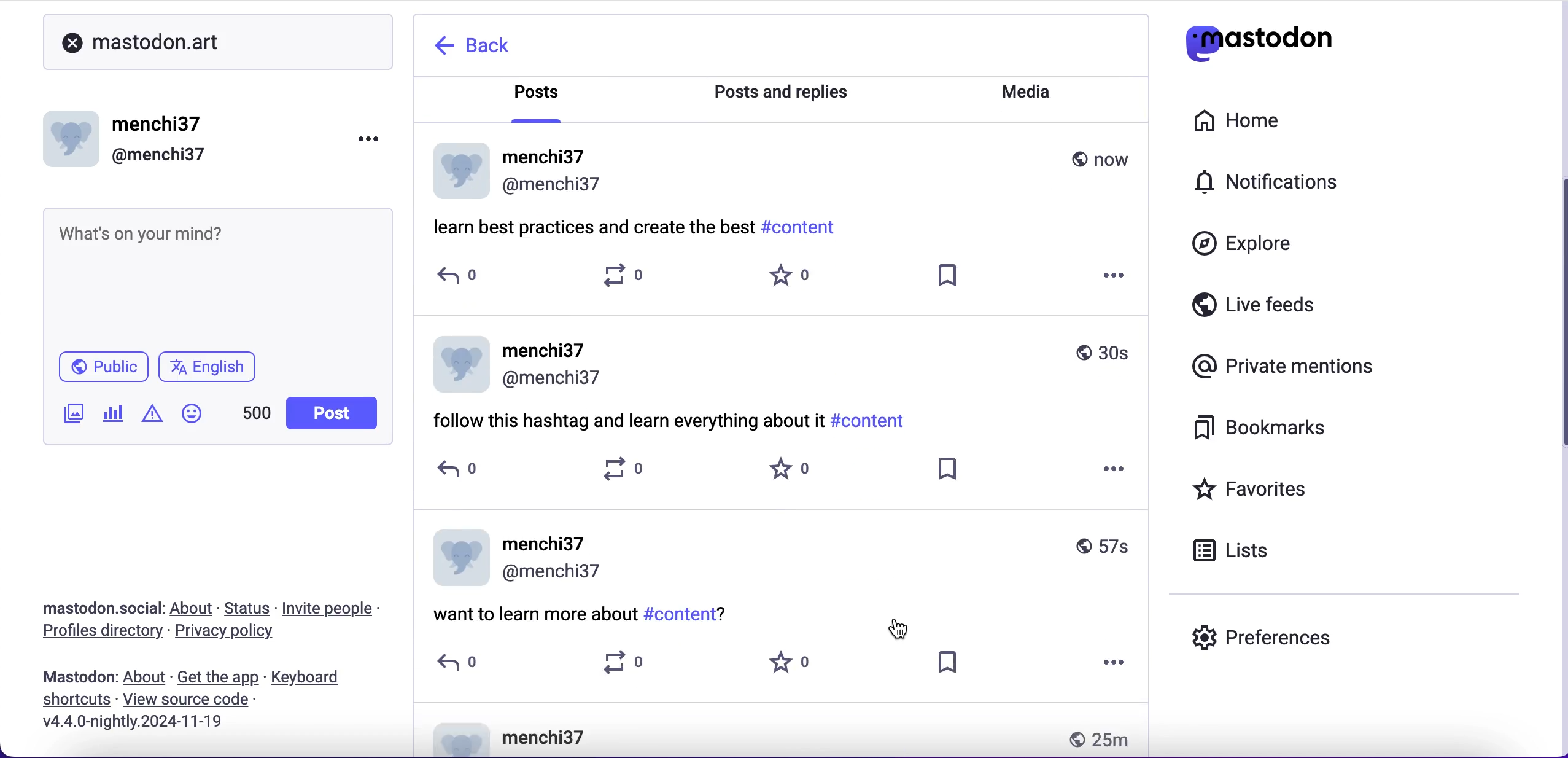 The height and width of the screenshot is (758, 1568). Describe the element at coordinates (459, 558) in the screenshot. I see `display picture` at that location.